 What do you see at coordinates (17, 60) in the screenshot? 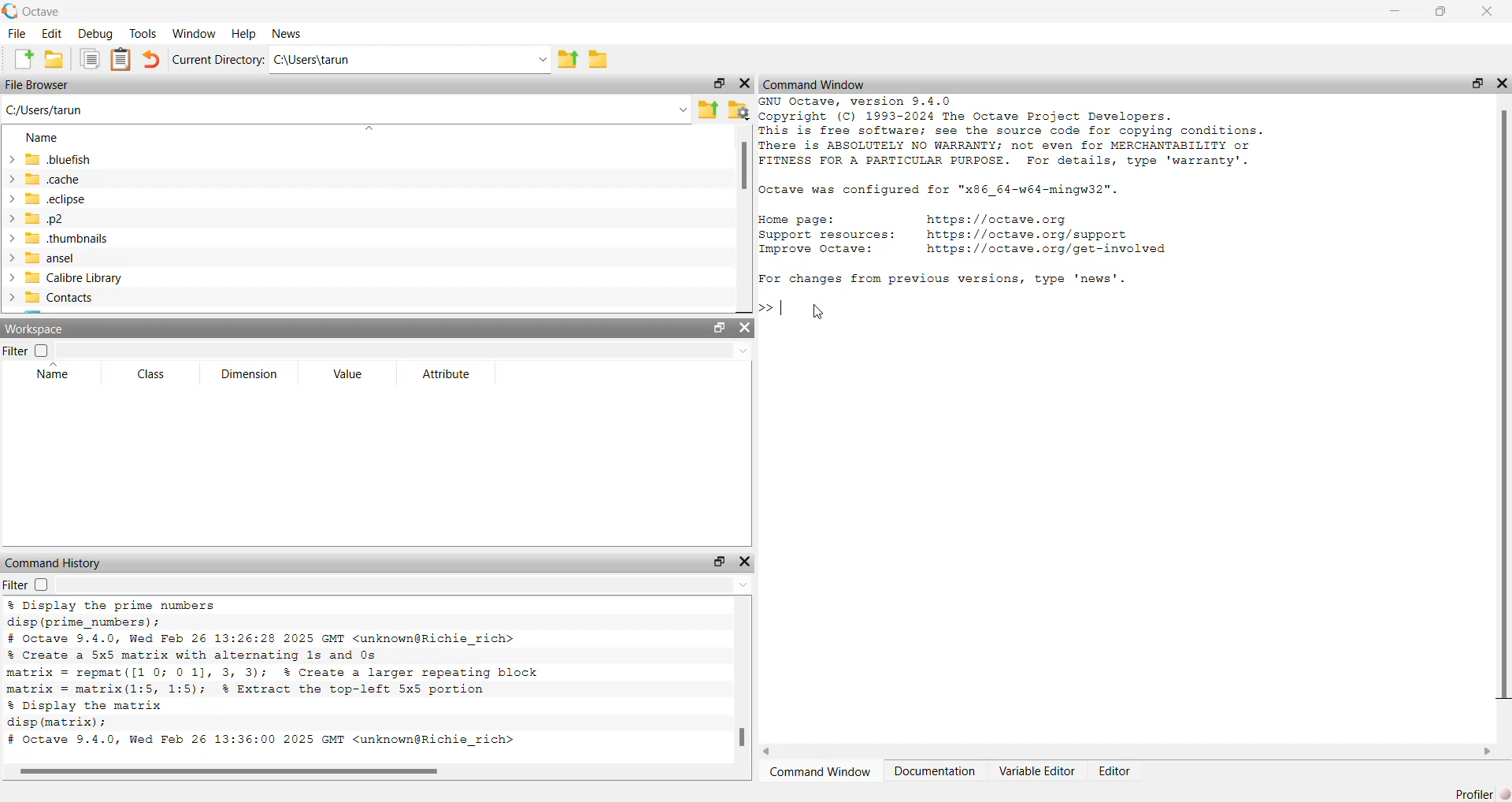
I see `new script` at bounding box center [17, 60].